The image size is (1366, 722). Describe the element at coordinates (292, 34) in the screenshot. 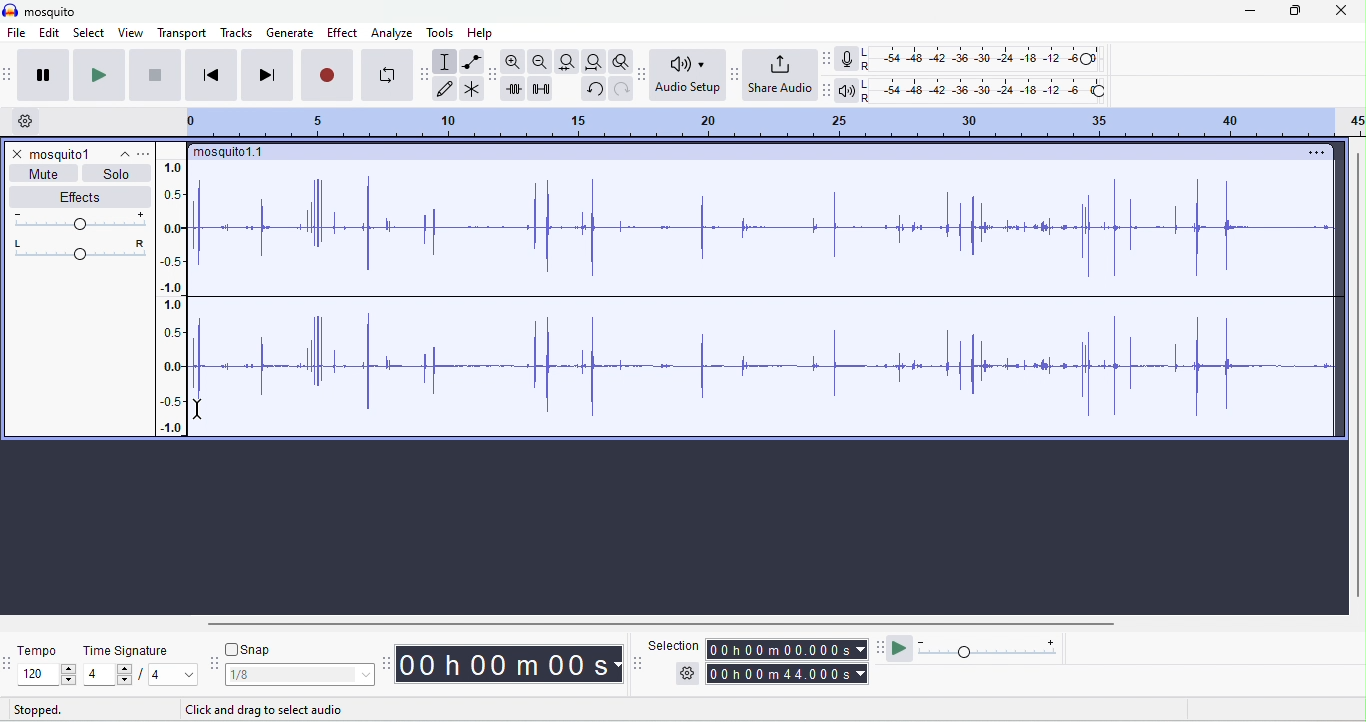

I see `generate` at that location.